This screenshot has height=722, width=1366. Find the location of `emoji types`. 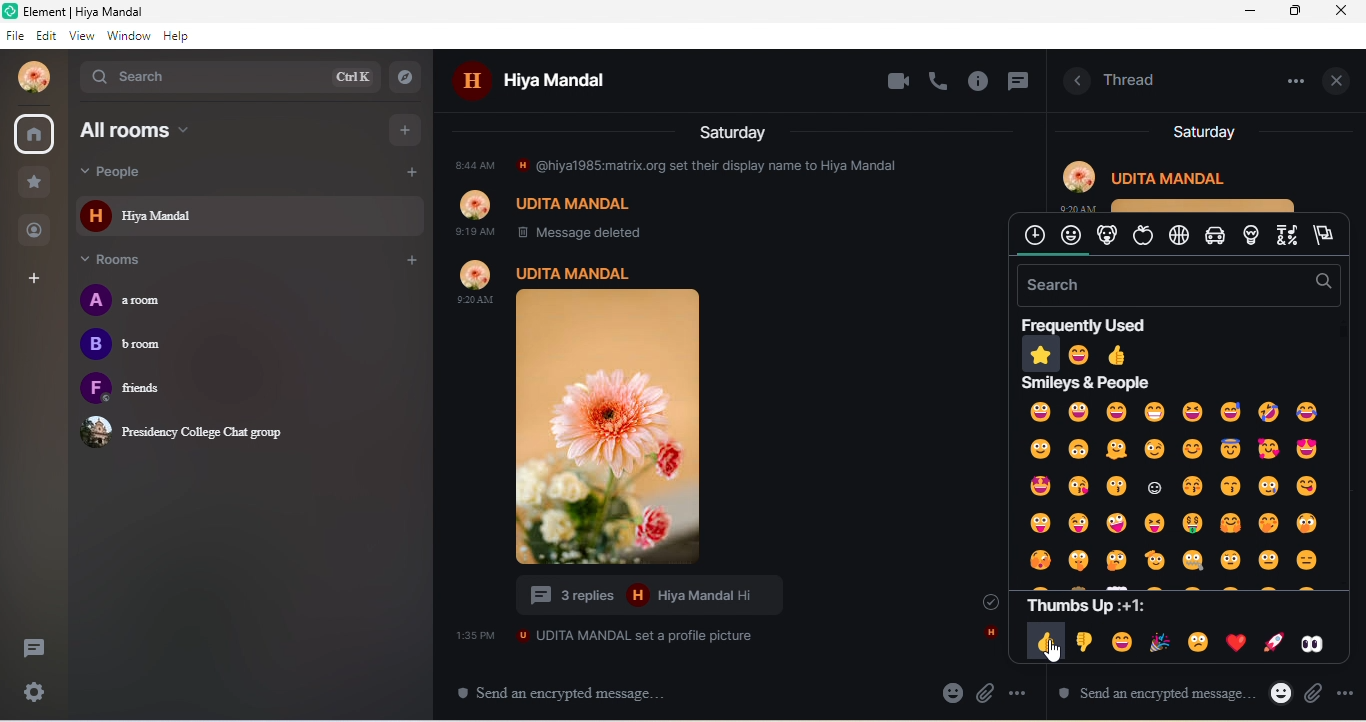

emoji types is located at coordinates (1178, 236).